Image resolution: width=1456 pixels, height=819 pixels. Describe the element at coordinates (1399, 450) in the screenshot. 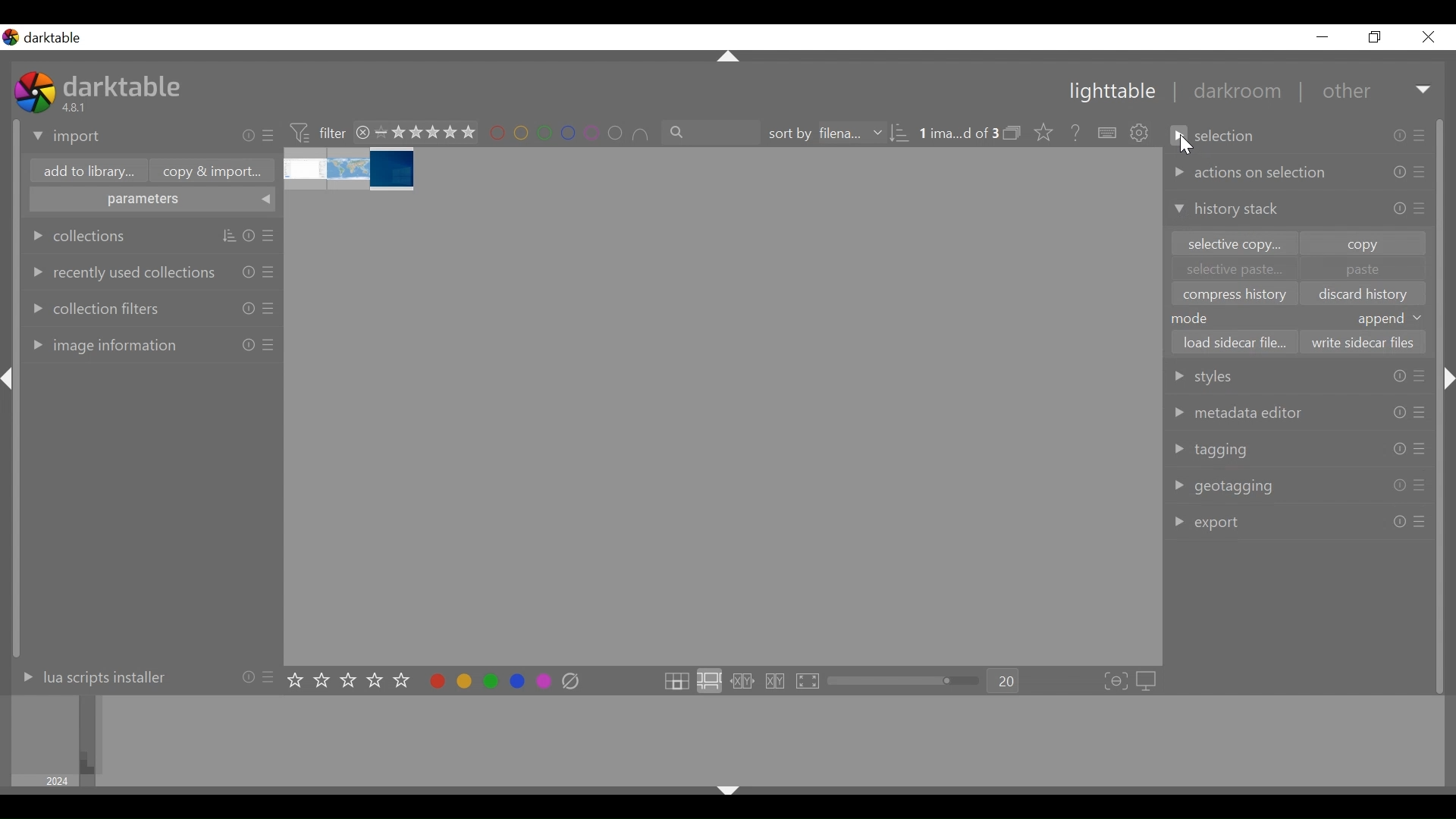

I see `info` at that location.